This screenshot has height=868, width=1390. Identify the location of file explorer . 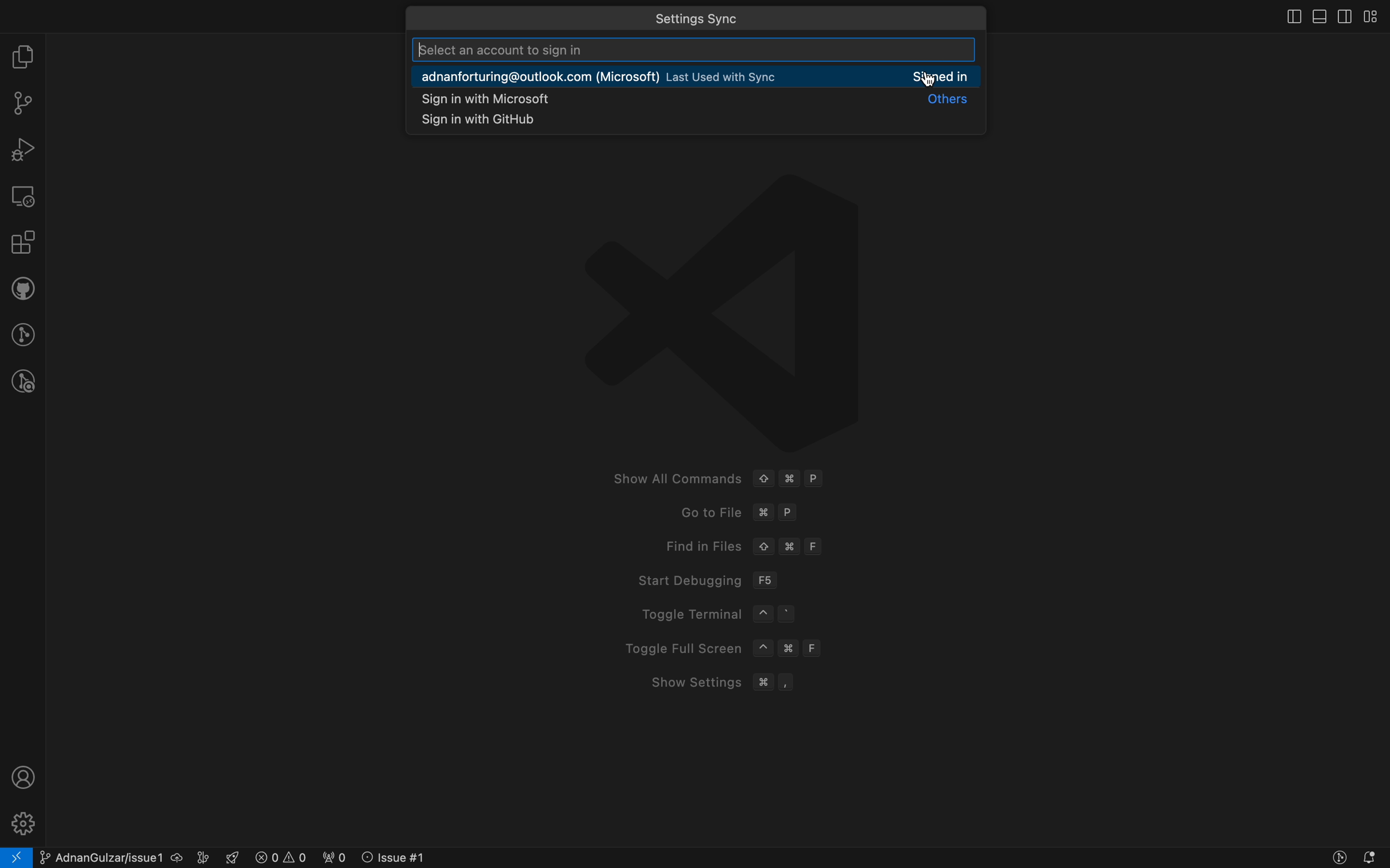
(23, 56).